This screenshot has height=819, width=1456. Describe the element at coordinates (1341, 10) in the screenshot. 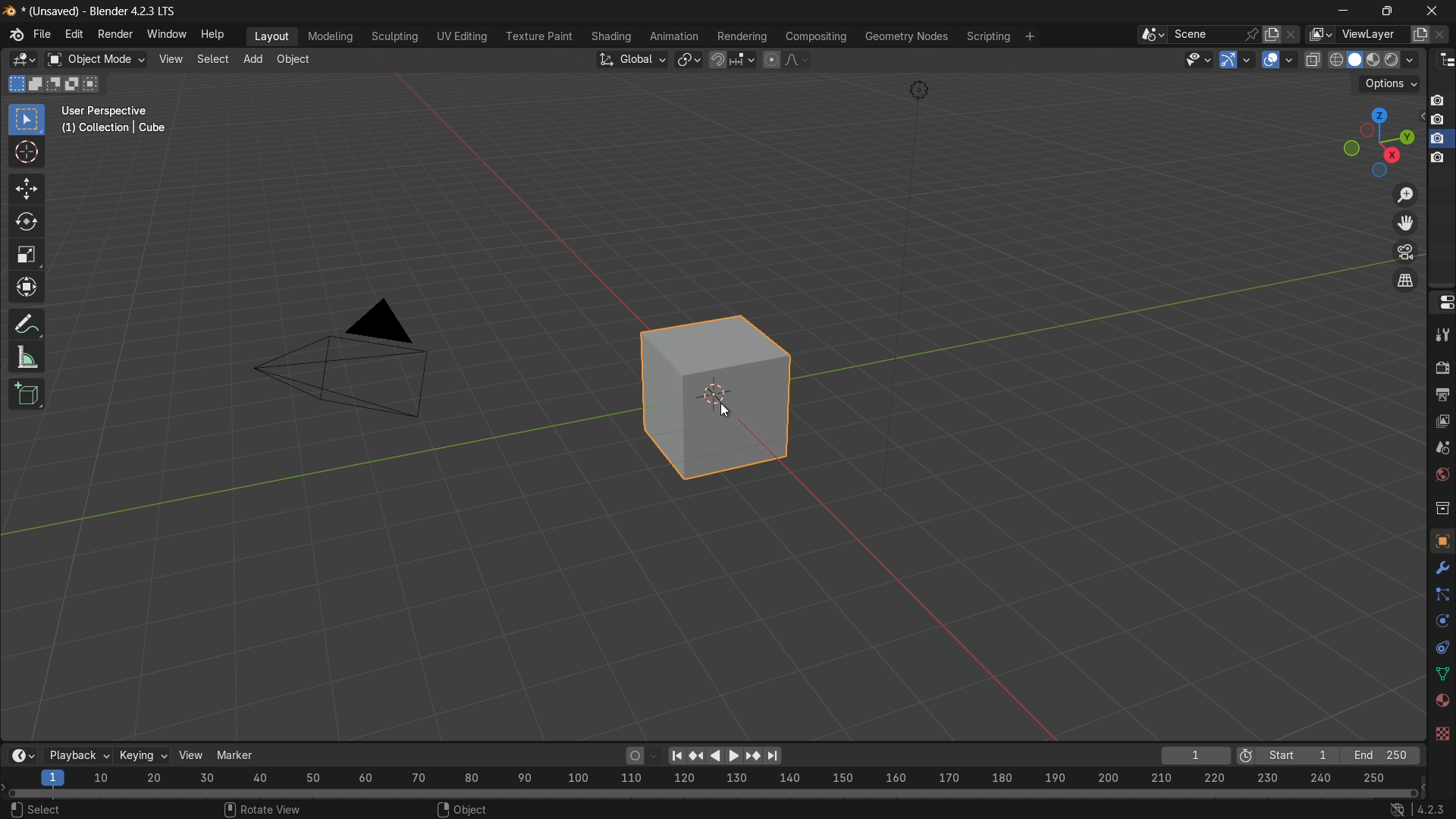

I see `minimize` at that location.